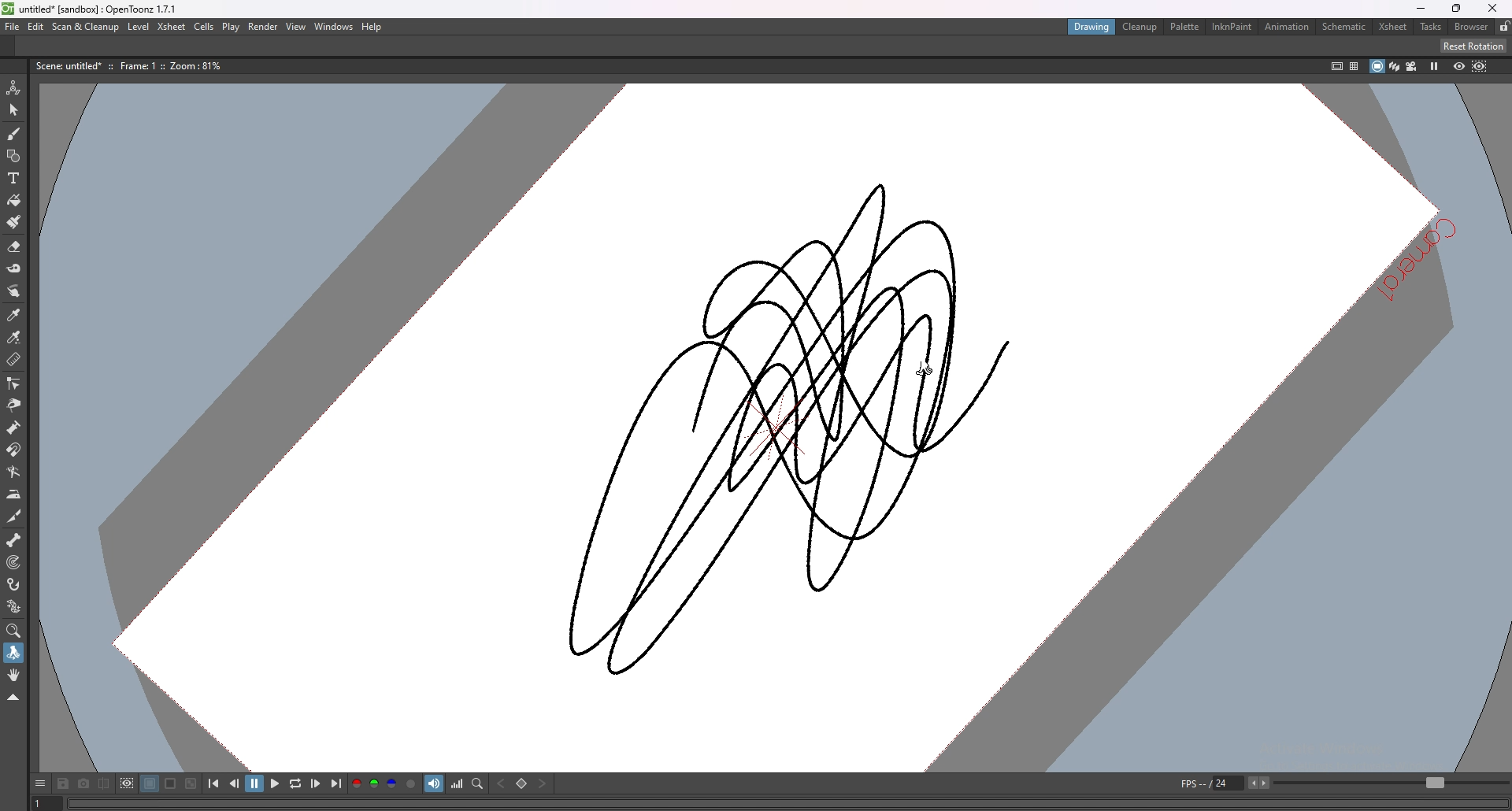 The width and height of the screenshot is (1512, 811). What do you see at coordinates (391, 783) in the screenshot?
I see `blue channel` at bounding box center [391, 783].